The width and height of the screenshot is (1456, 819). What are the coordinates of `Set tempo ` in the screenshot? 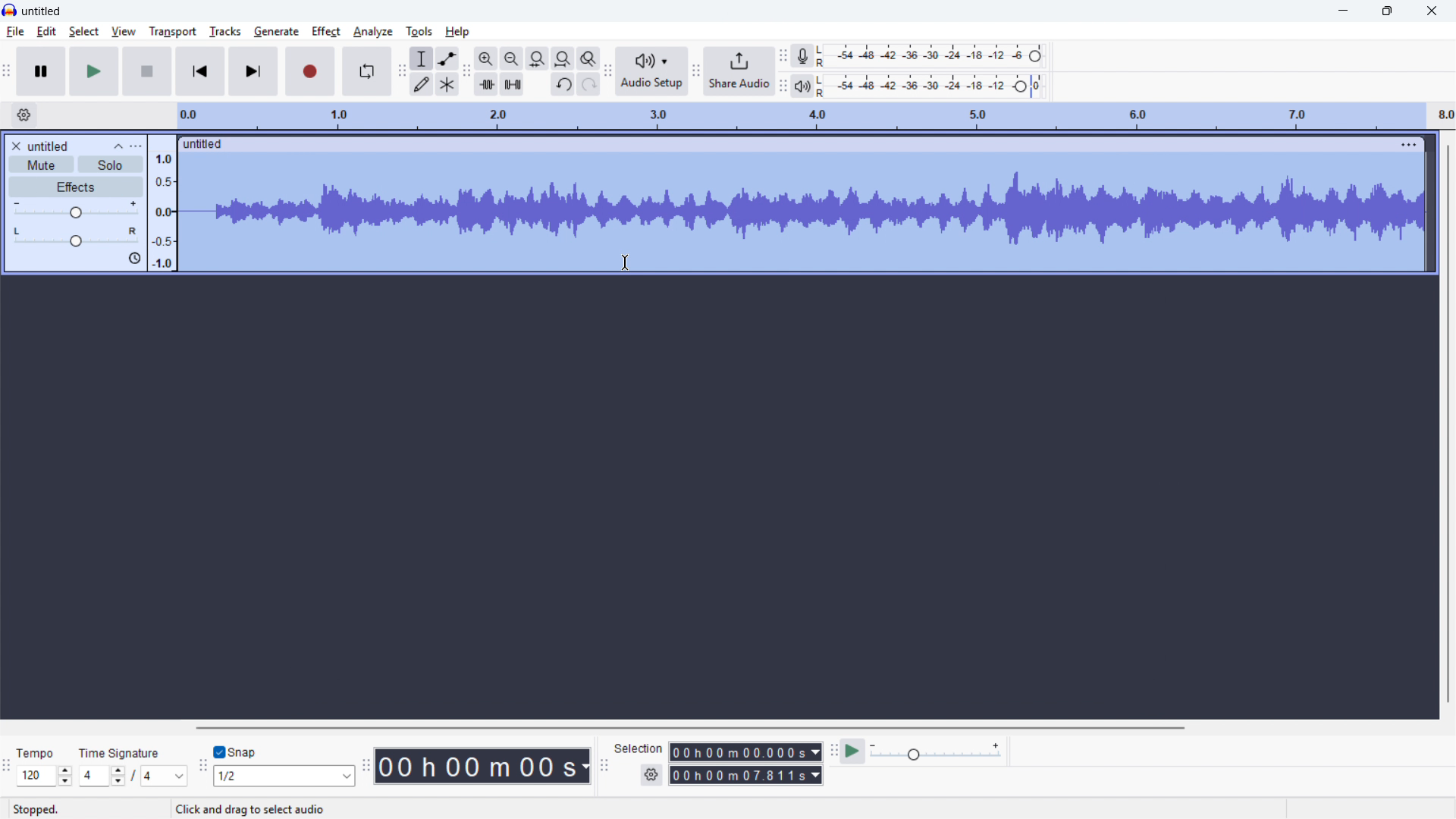 It's located at (43, 777).